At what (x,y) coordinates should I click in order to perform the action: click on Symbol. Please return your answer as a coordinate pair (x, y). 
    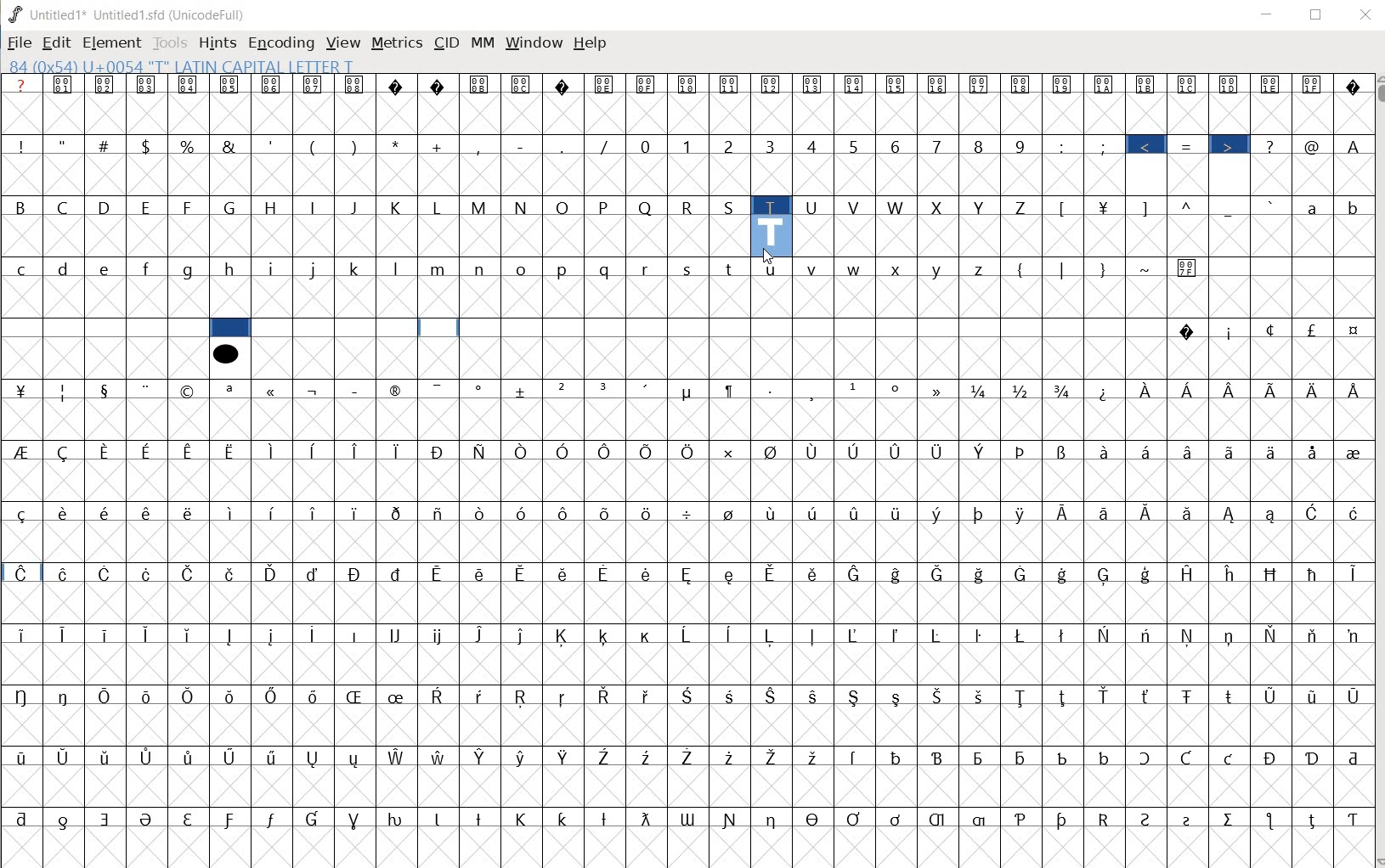
    Looking at the image, I should click on (64, 391).